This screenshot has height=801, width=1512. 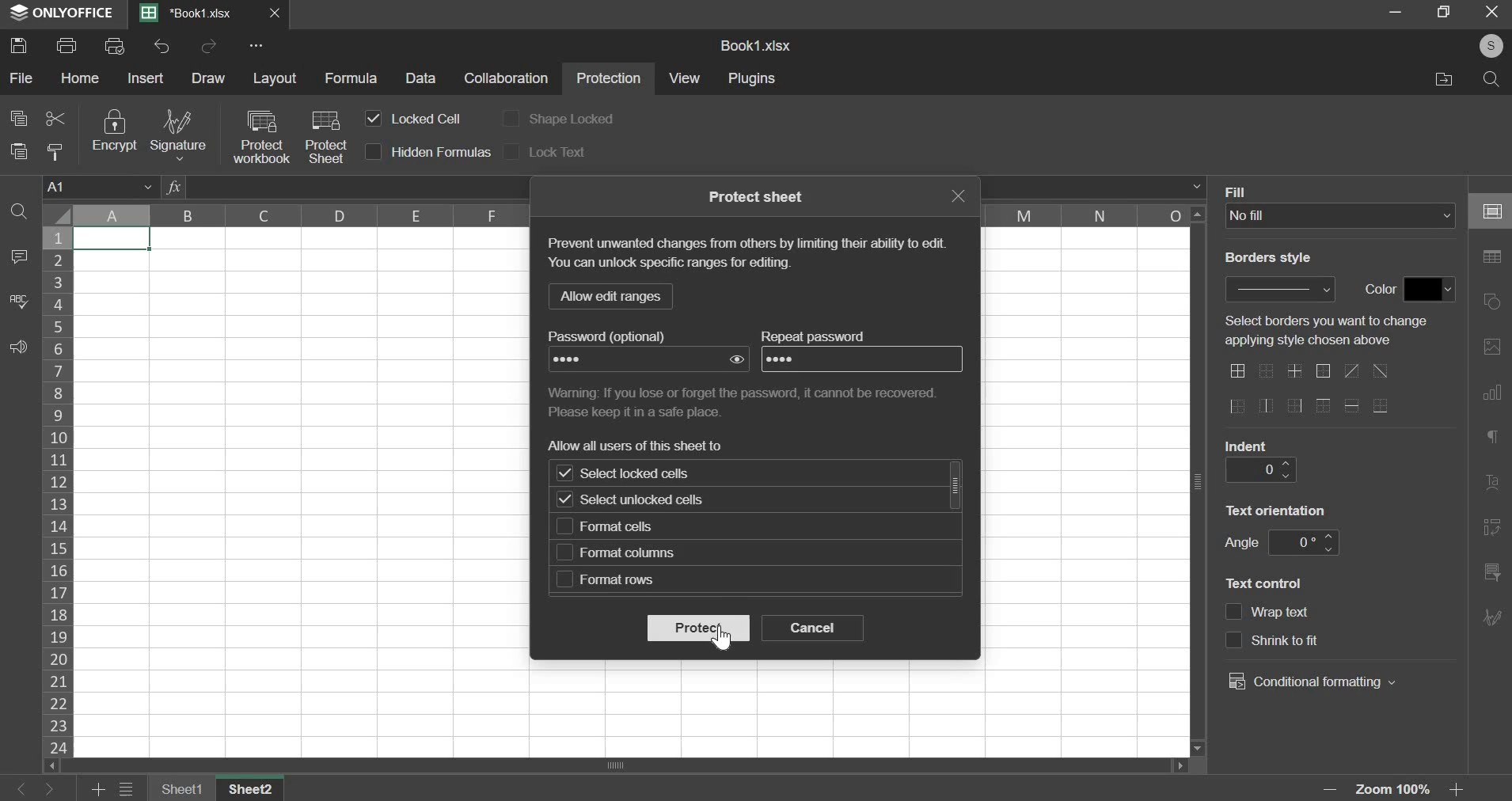 I want to click on text, so click(x=758, y=196).